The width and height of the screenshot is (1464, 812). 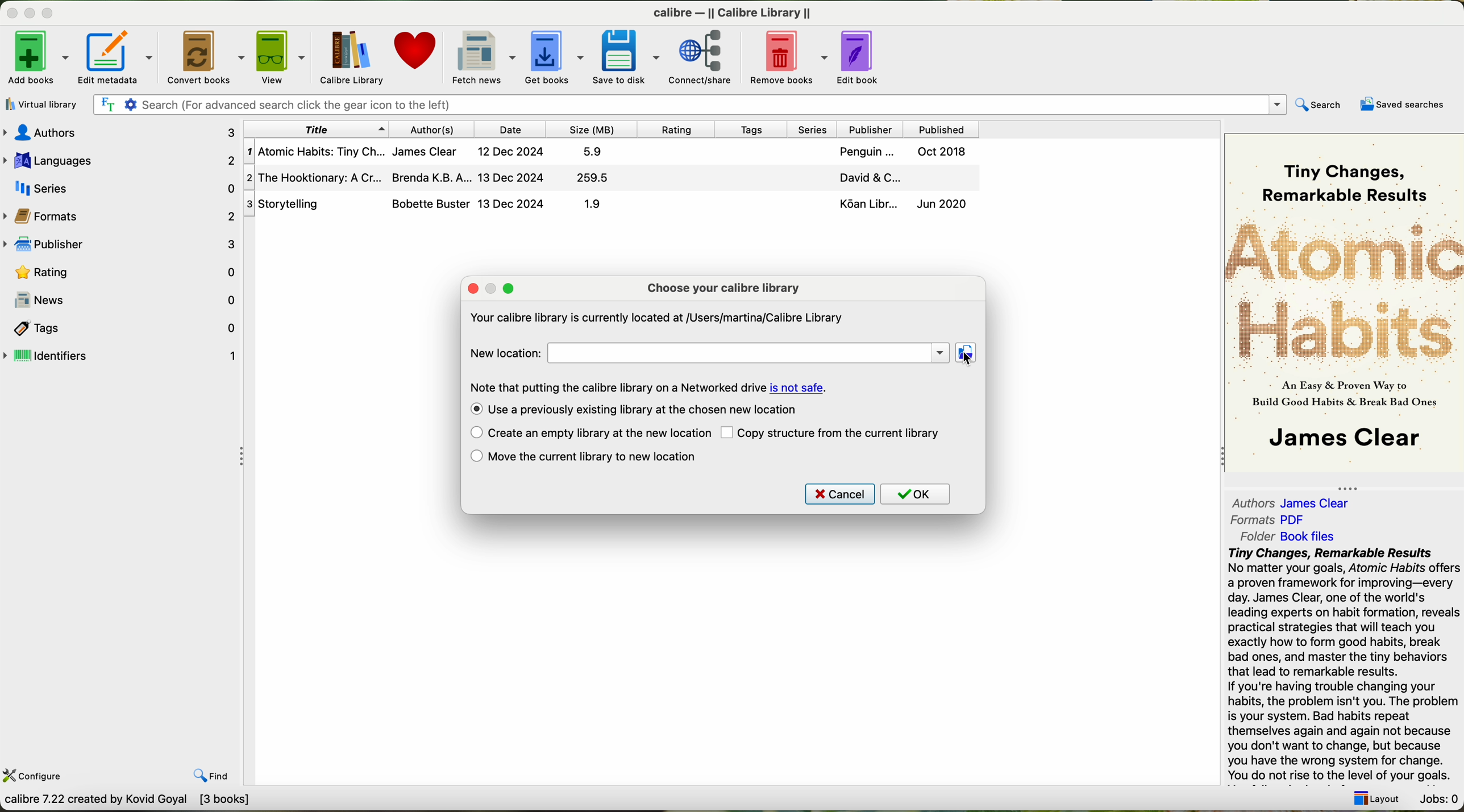 I want to click on calibre — || Calibre Library ||, so click(x=733, y=12).